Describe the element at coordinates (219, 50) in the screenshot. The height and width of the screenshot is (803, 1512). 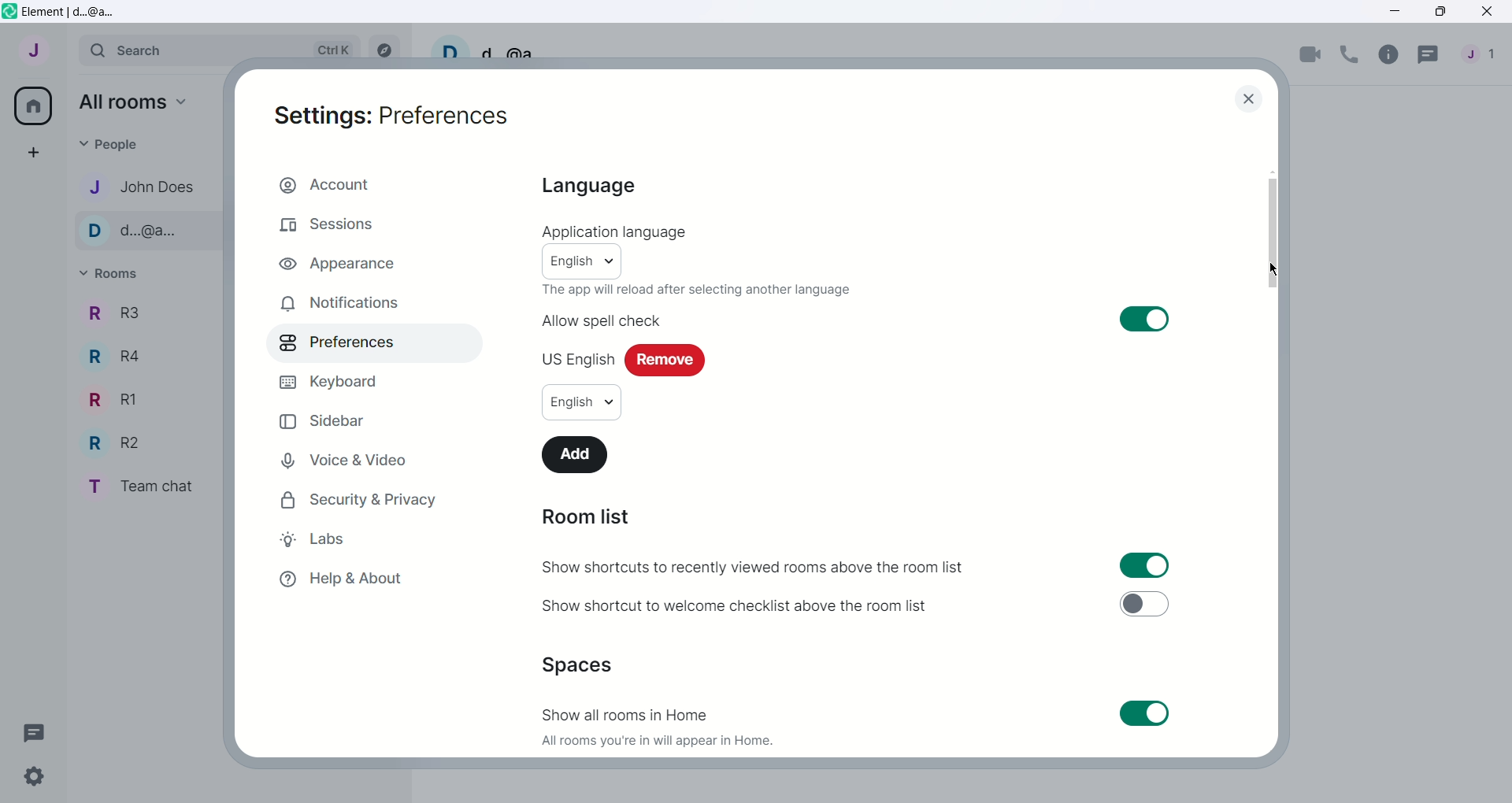
I see `Search bar` at that location.